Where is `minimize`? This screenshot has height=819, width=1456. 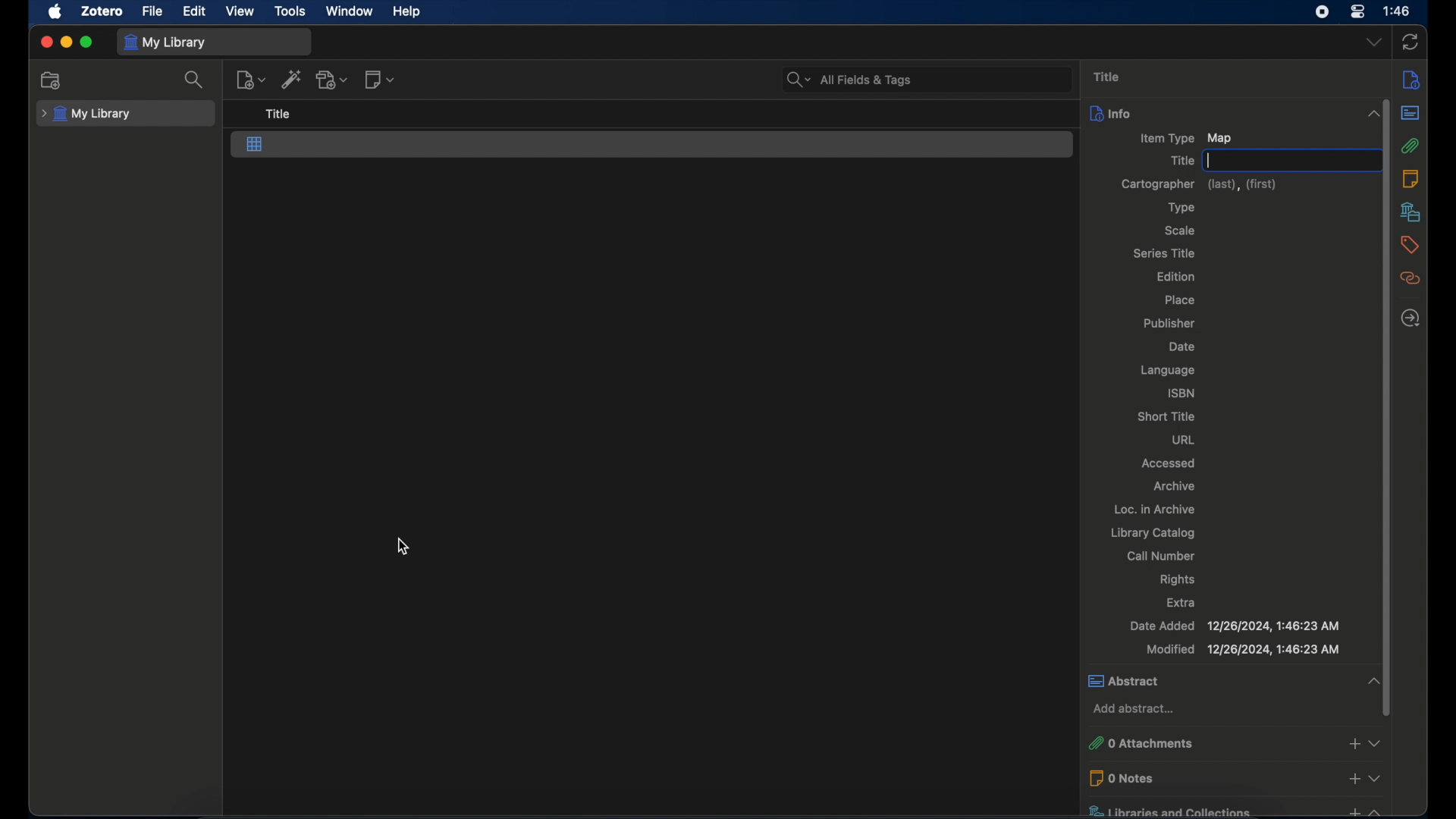 minimize is located at coordinates (65, 42).